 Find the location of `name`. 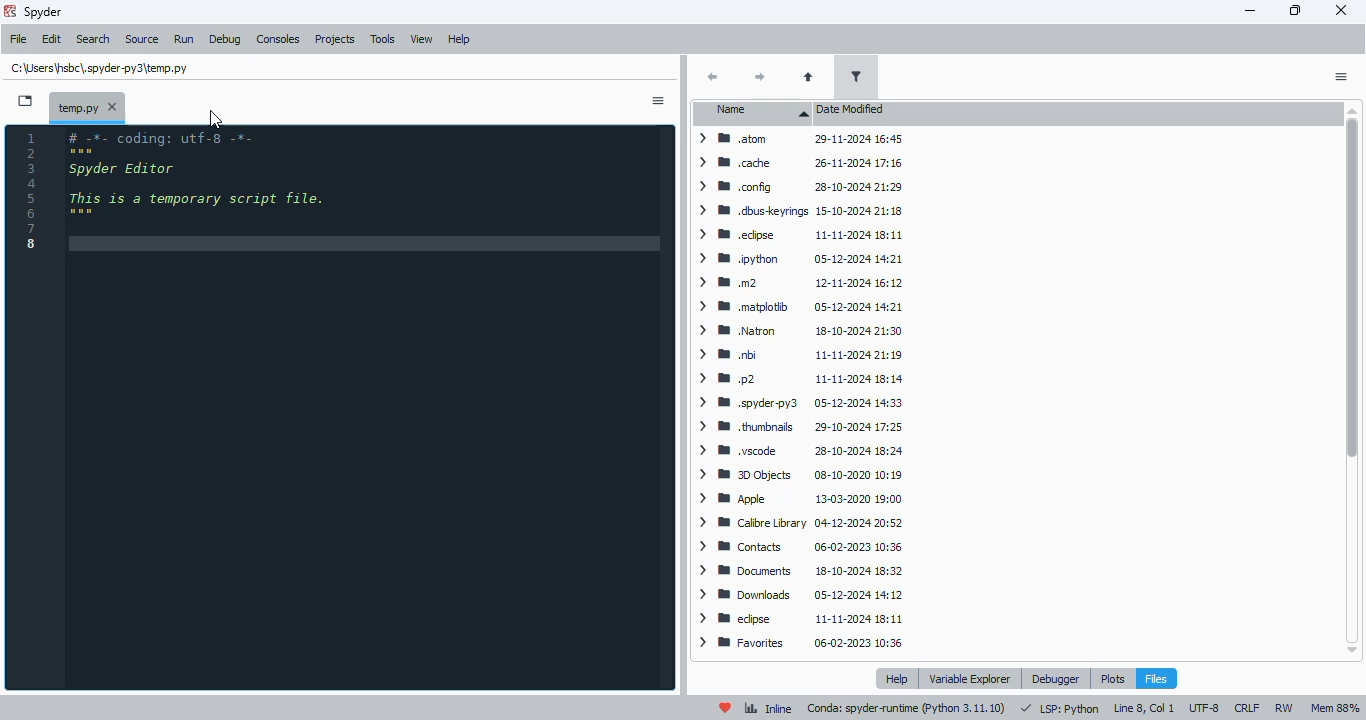

name is located at coordinates (756, 113).